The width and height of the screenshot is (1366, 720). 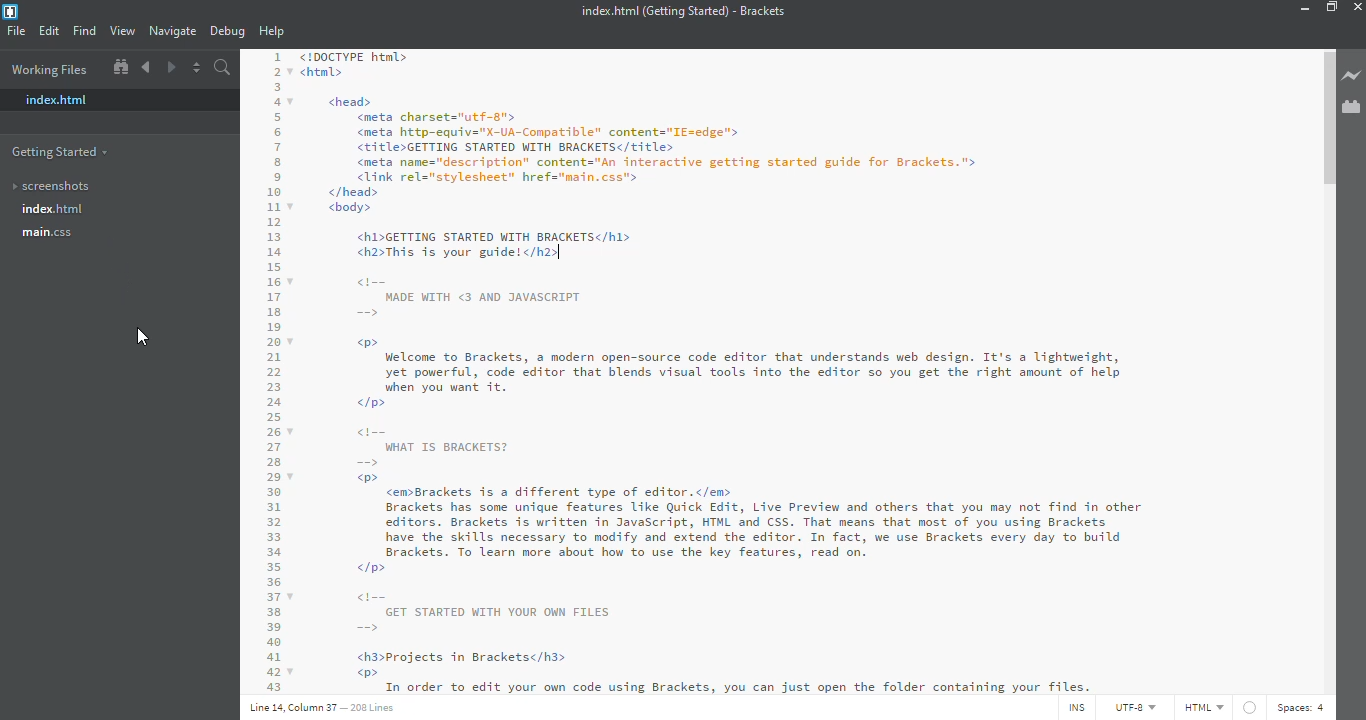 What do you see at coordinates (1325, 118) in the screenshot?
I see `scroll bar` at bounding box center [1325, 118].